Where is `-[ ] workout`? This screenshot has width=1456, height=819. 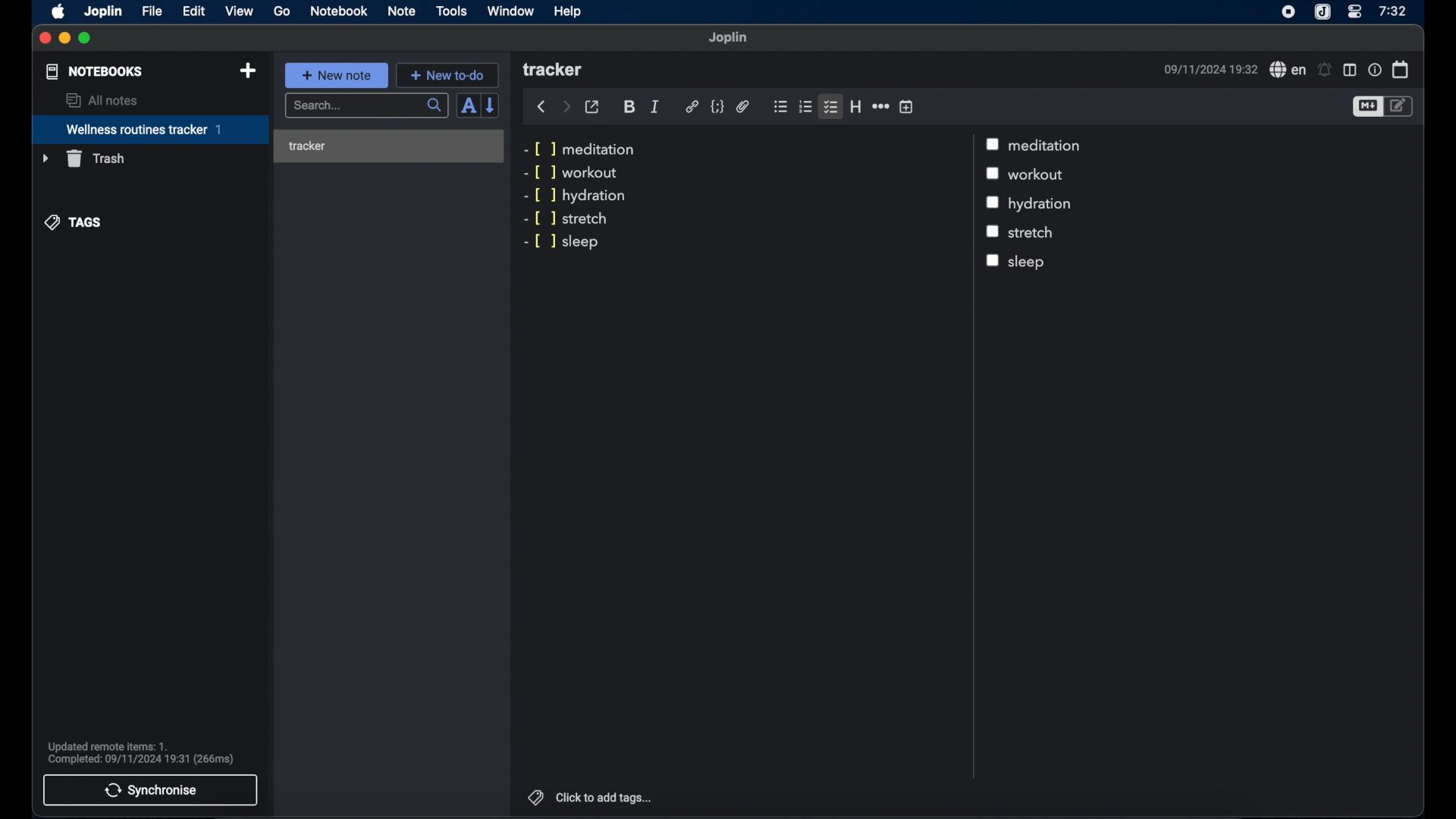
-[ ] workout is located at coordinates (571, 173).